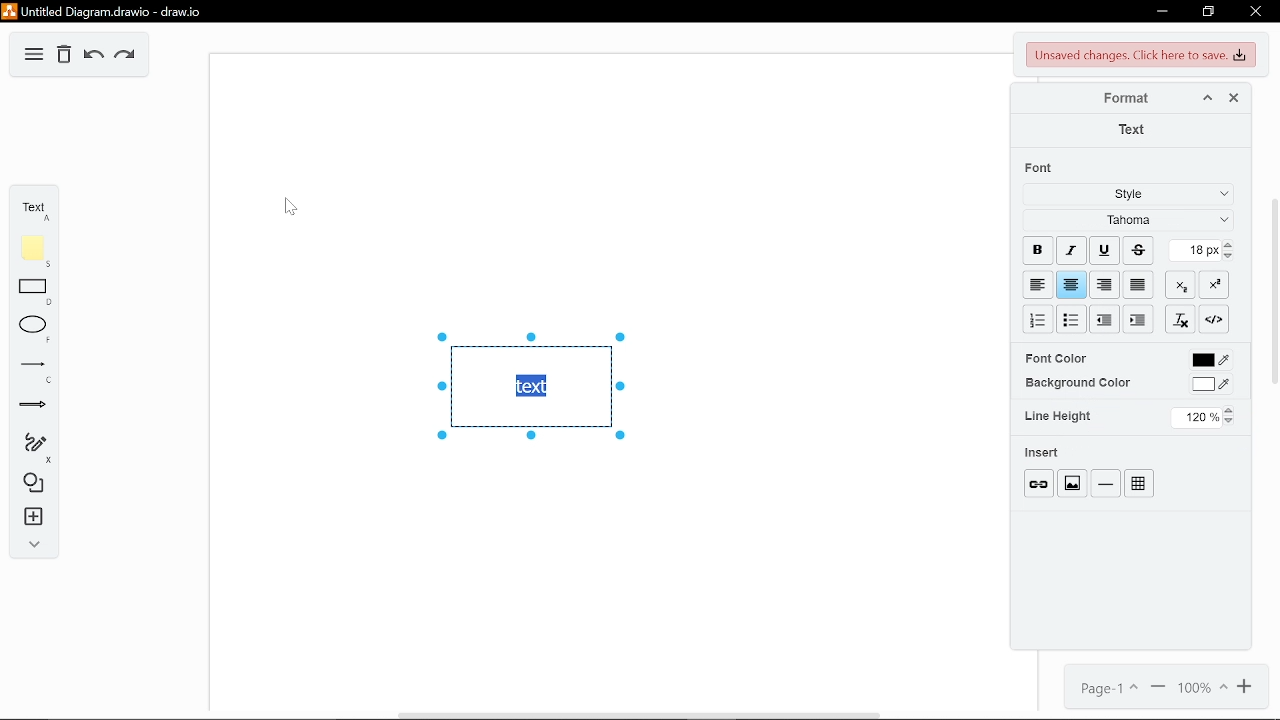 The width and height of the screenshot is (1280, 720). I want to click on bold, so click(1036, 250).